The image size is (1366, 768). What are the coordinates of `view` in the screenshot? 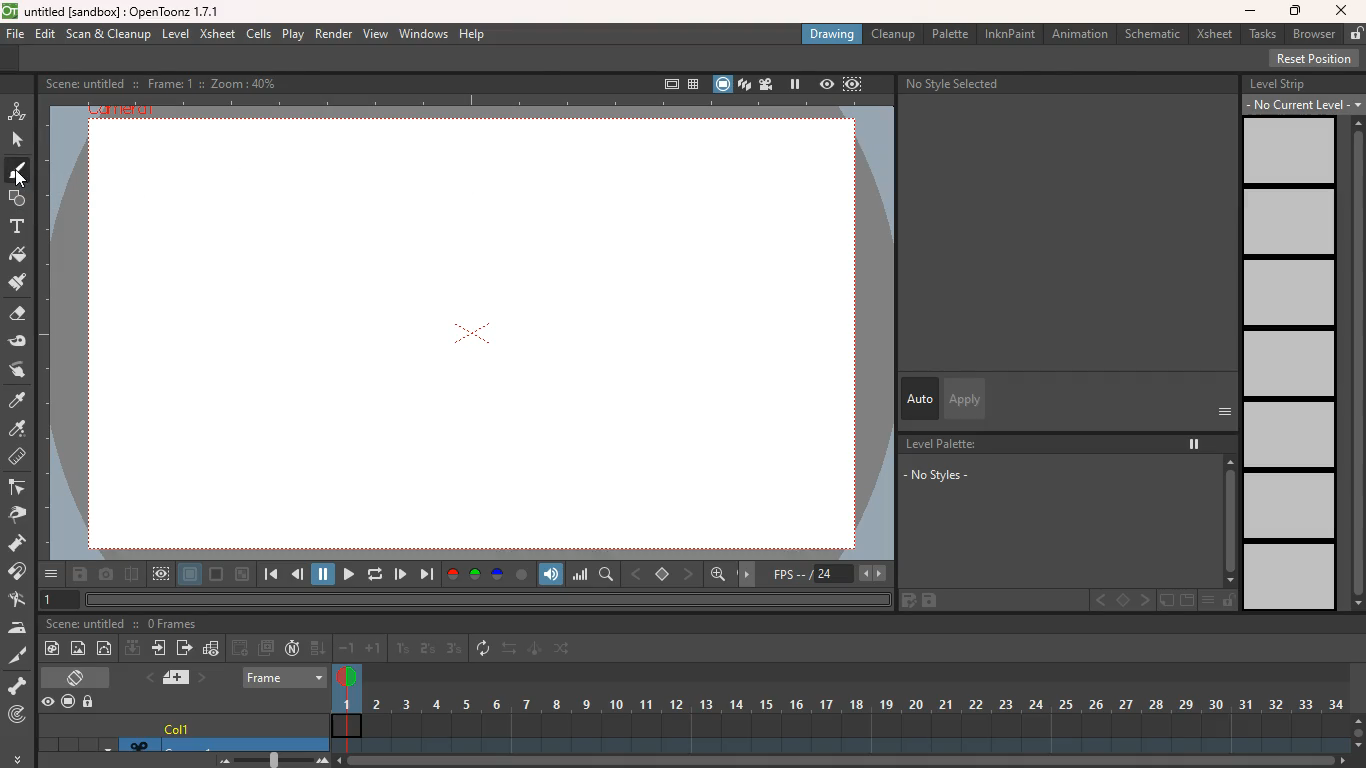 It's located at (377, 35).